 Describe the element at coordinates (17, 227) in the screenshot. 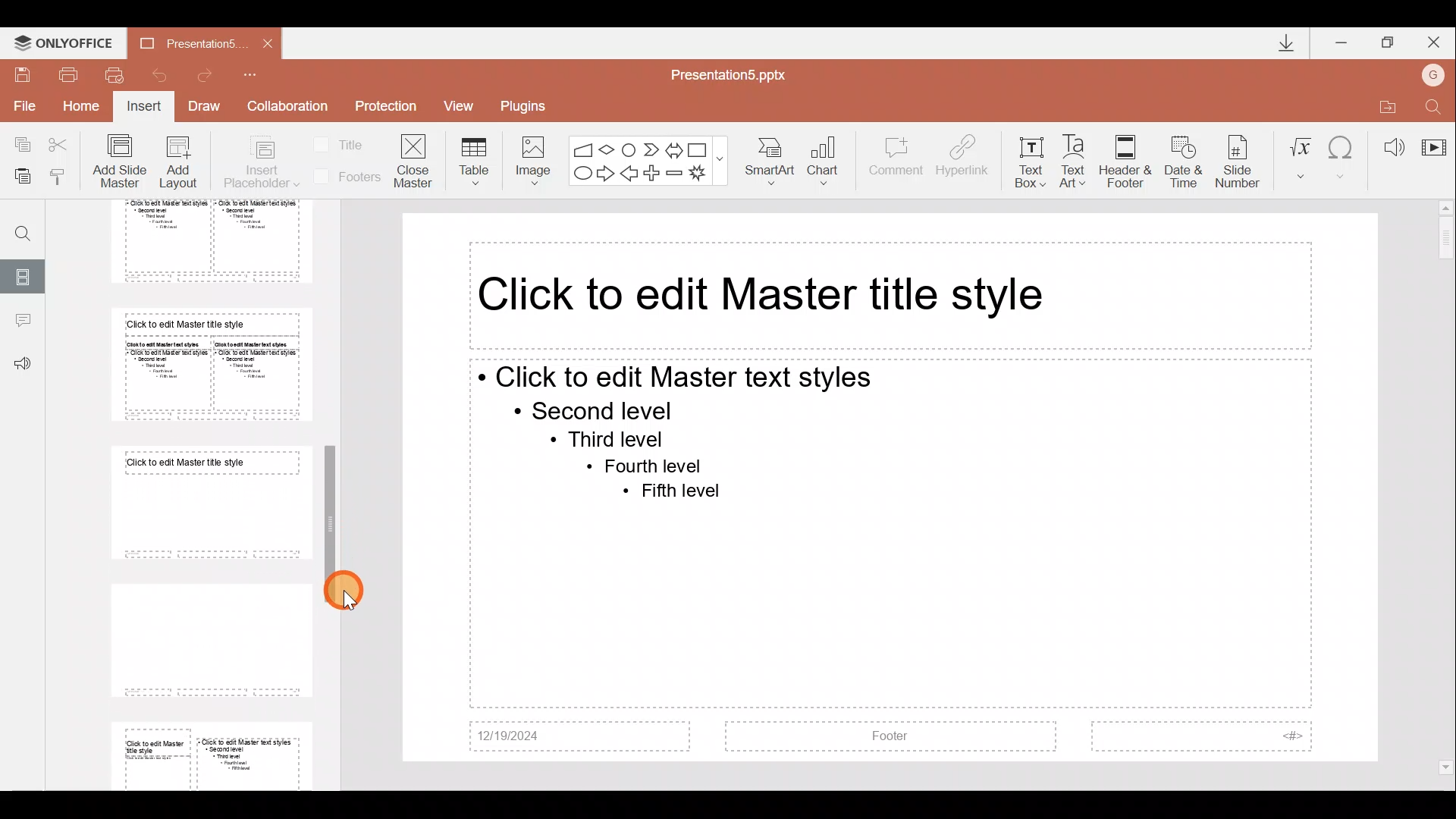

I see `Find` at that location.